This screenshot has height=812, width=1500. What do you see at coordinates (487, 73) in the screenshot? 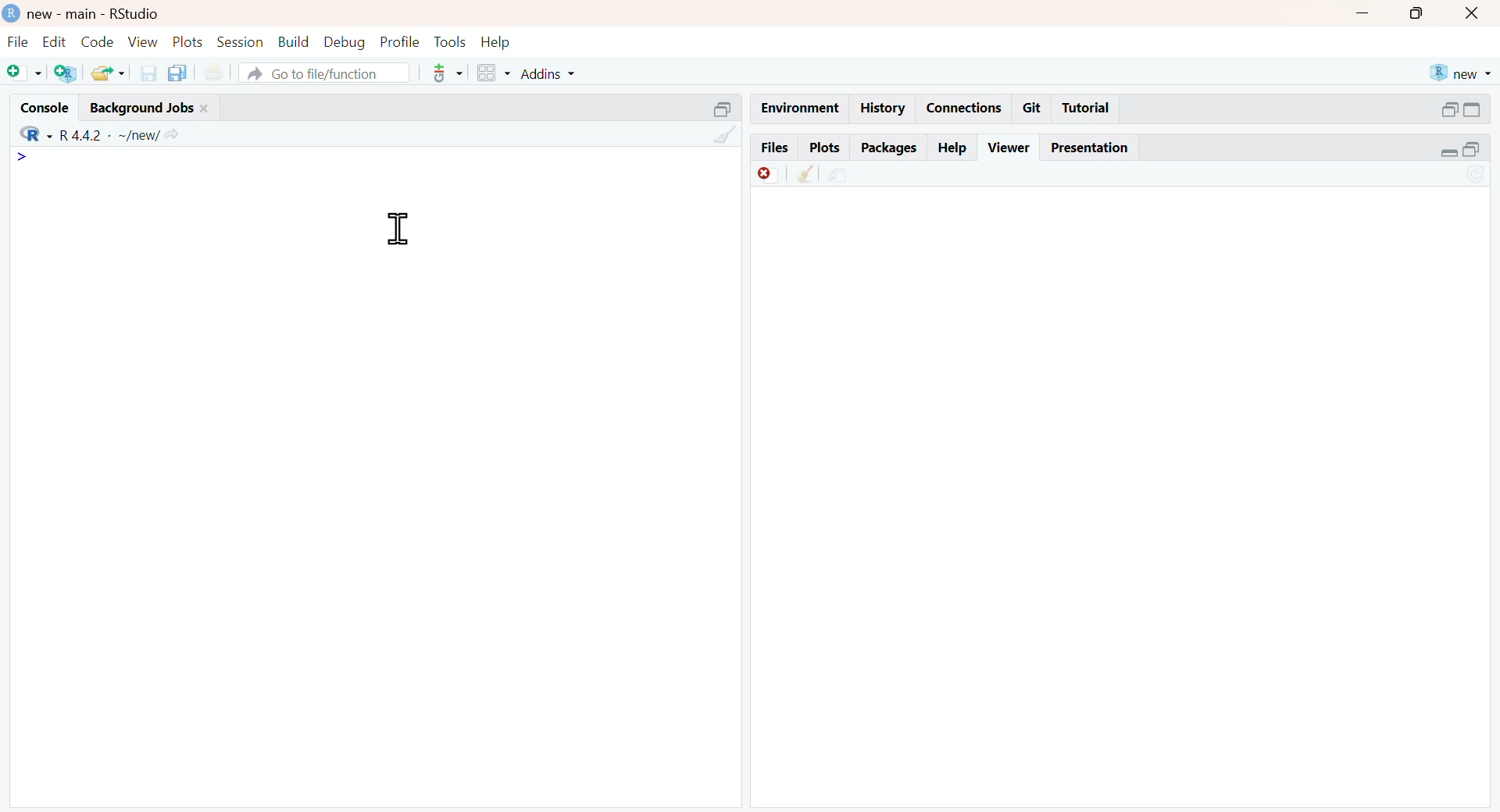
I see `windows pane` at bounding box center [487, 73].